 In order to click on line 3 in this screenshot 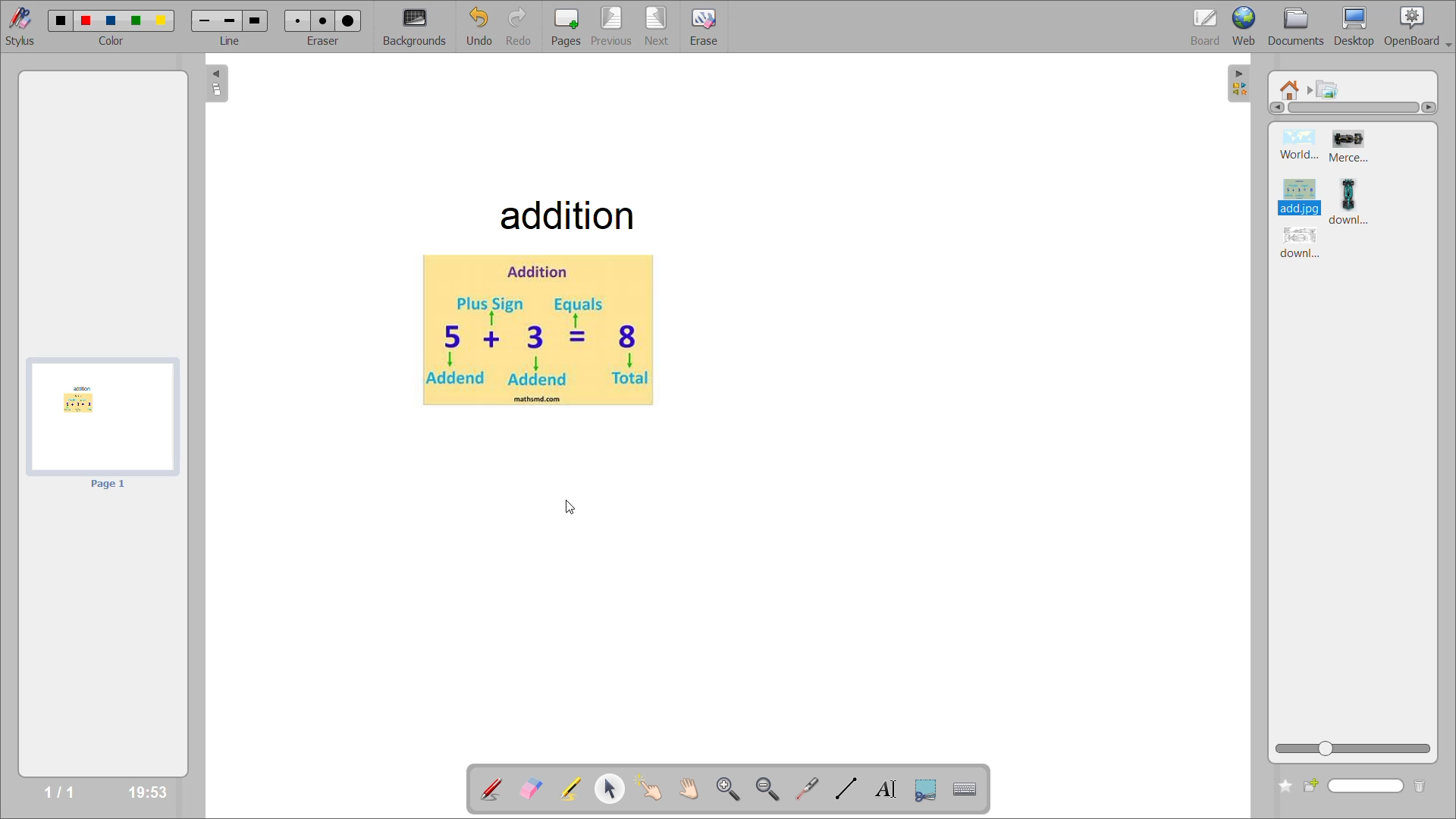, I will do `click(254, 20)`.